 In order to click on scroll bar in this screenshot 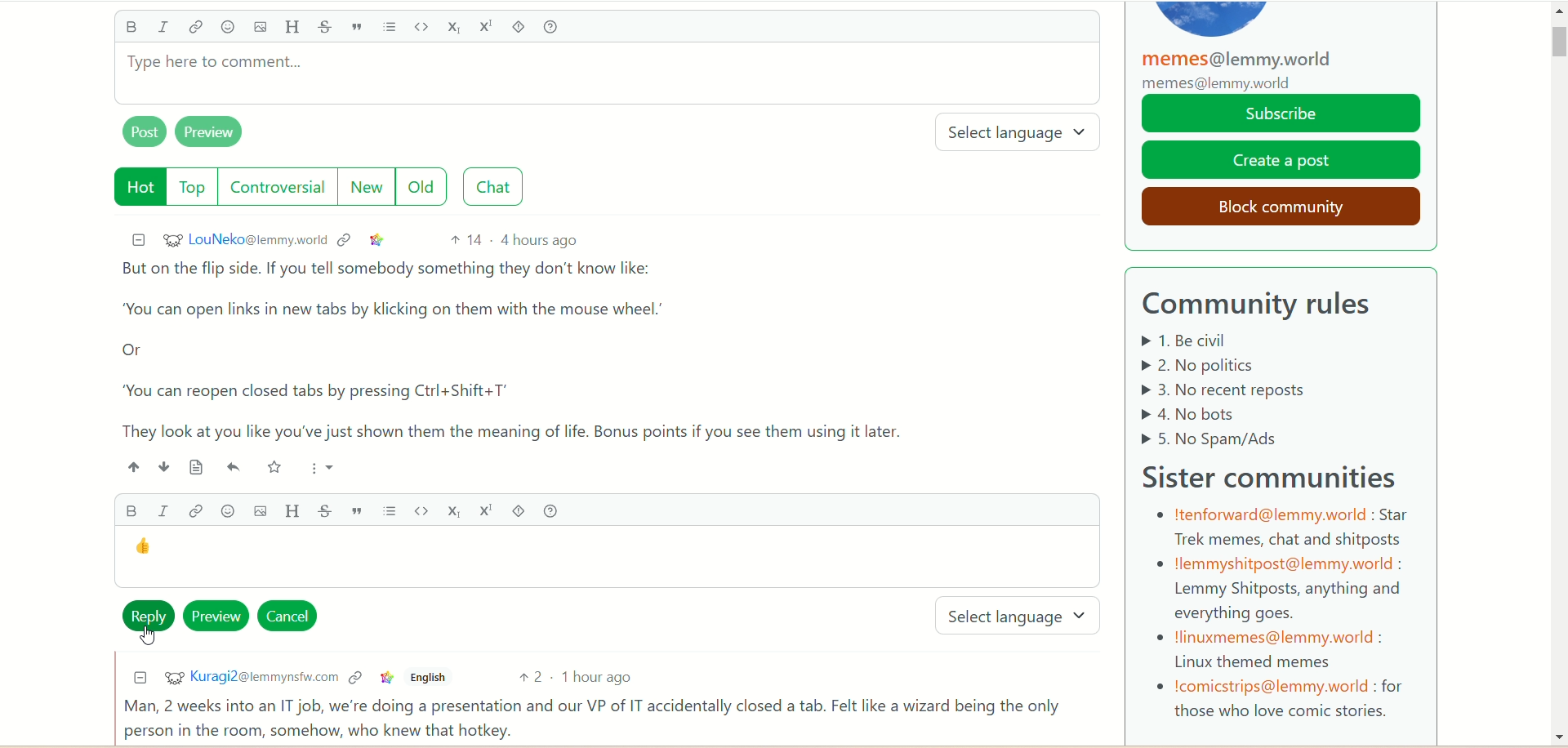, I will do `click(1557, 106)`.